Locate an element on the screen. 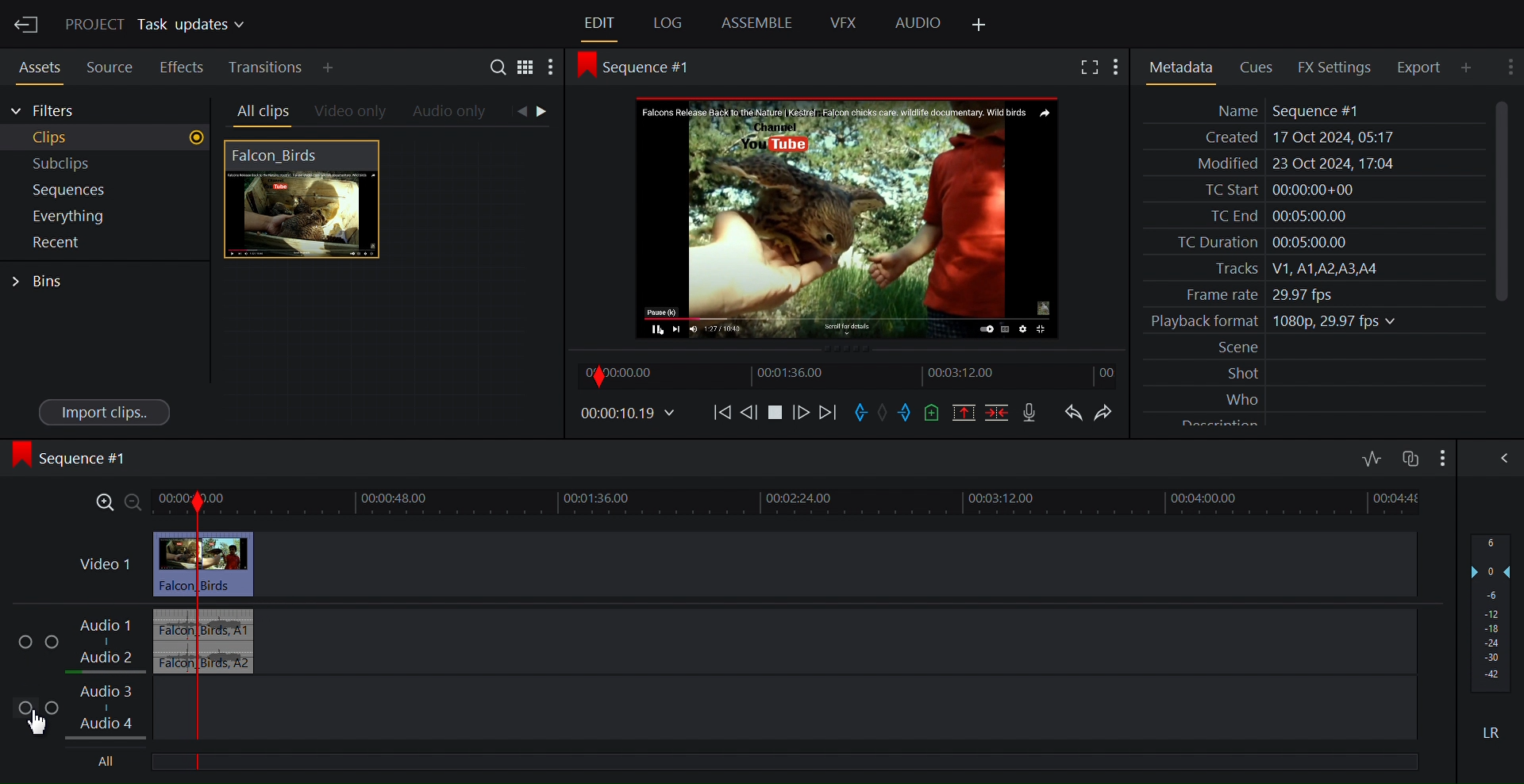 This screenshot has height=784, width=1524. Exit the current project is located at coordinates (25, 24).